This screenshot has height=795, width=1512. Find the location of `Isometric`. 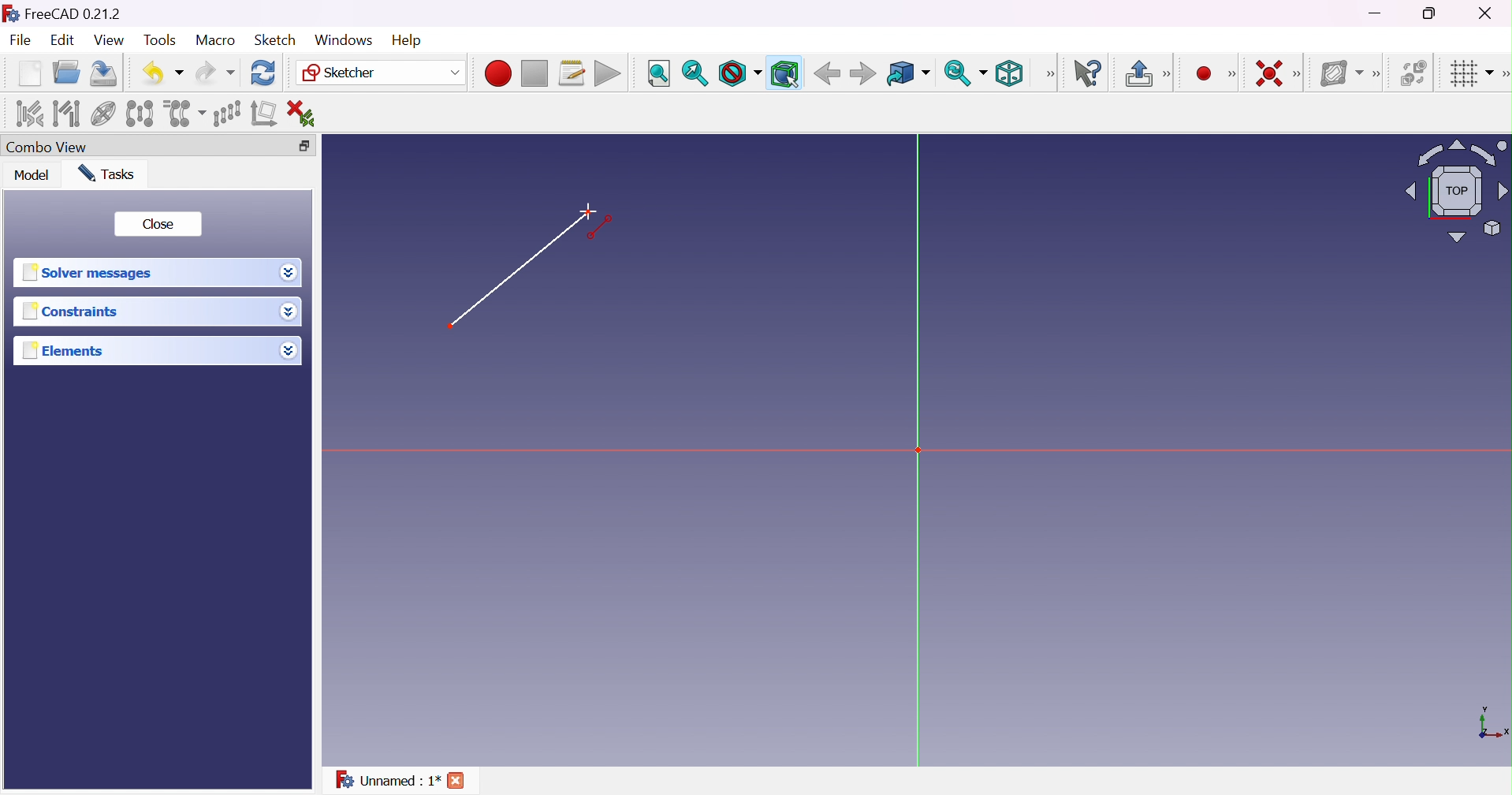

Isometric is located at coordinates (1013, 73).